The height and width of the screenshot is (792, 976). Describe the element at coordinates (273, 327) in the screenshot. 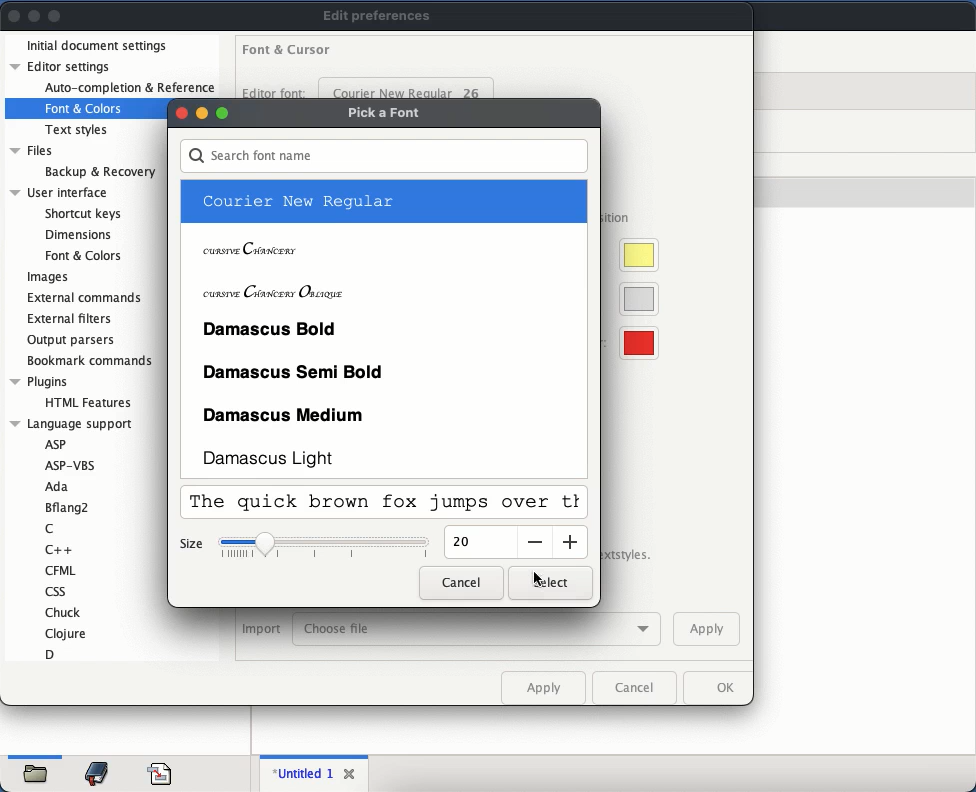

I see `Damascus Bold` at that location.